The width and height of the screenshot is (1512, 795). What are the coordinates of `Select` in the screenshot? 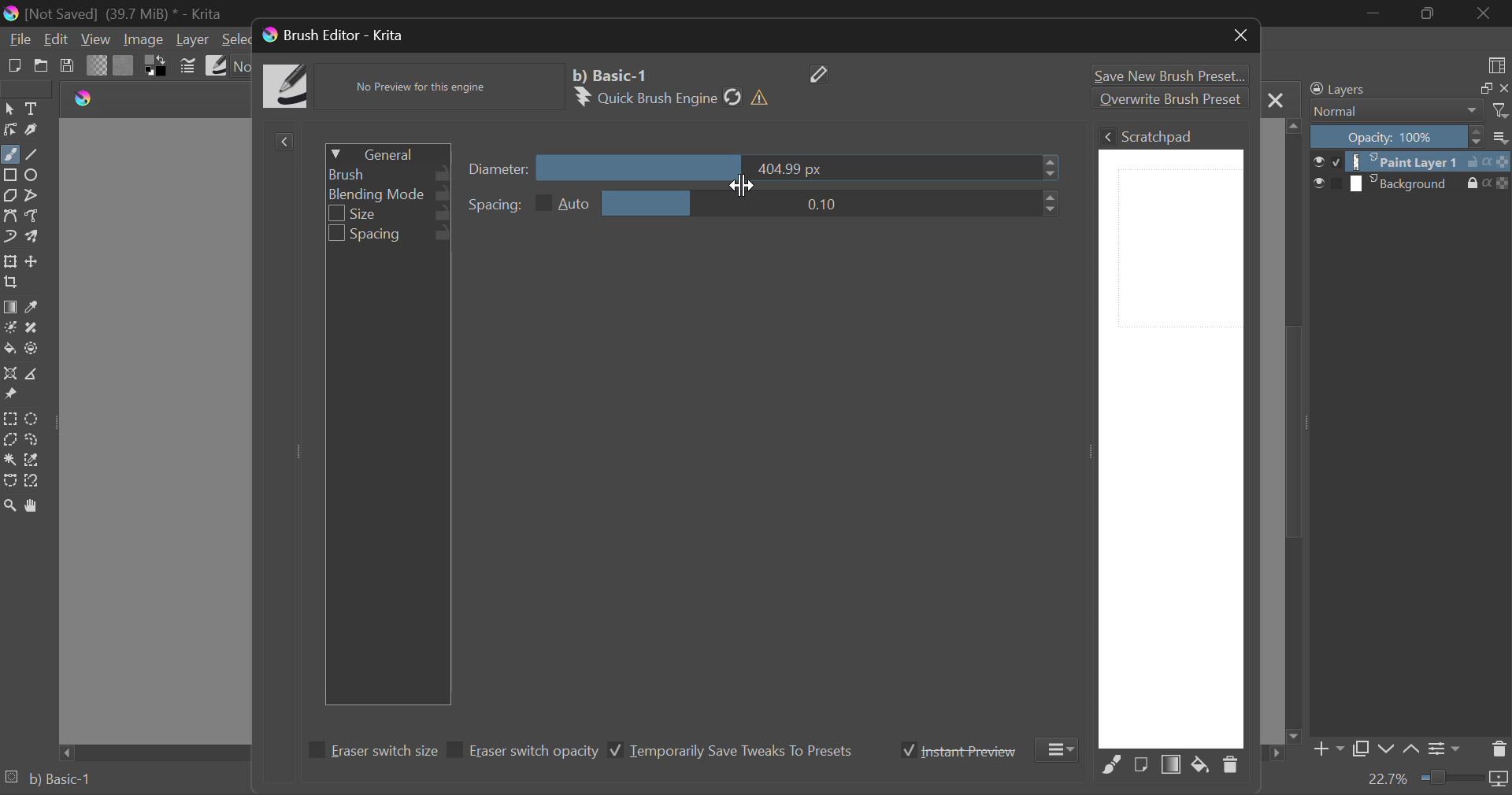 It's located at (232, 39).